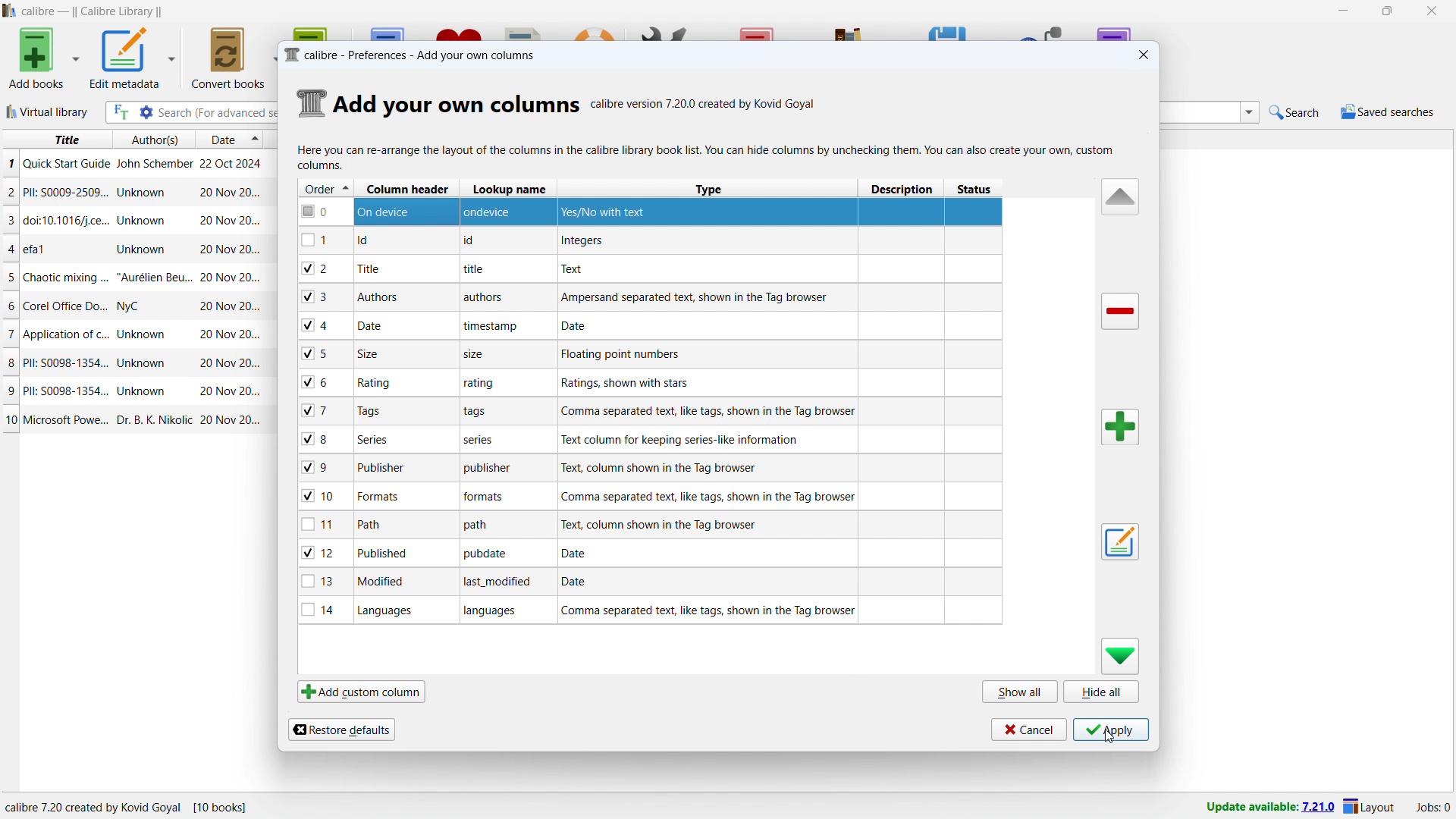 This screenshot has width=1456, height=819. What do you see at coordinates (650, 298) in the screenshot?
I see `v3 ‘Authors authors. Ampersand separated text, shown in the lag browser` at bounding box center [650, 298].